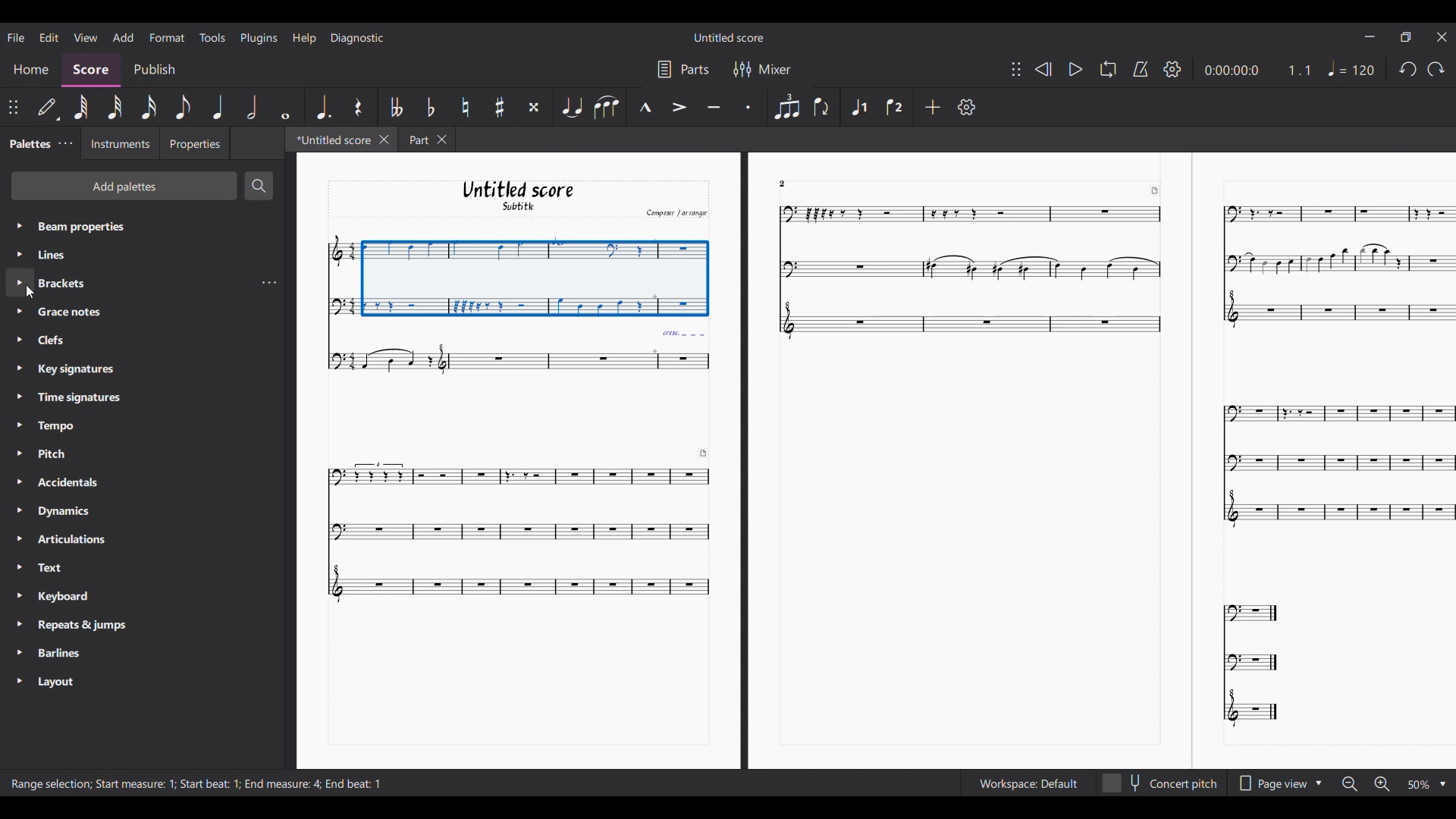  What do you see at coordinates (65, 255) in the screenshot?
I see `Line` at bounding box center [65, 255].